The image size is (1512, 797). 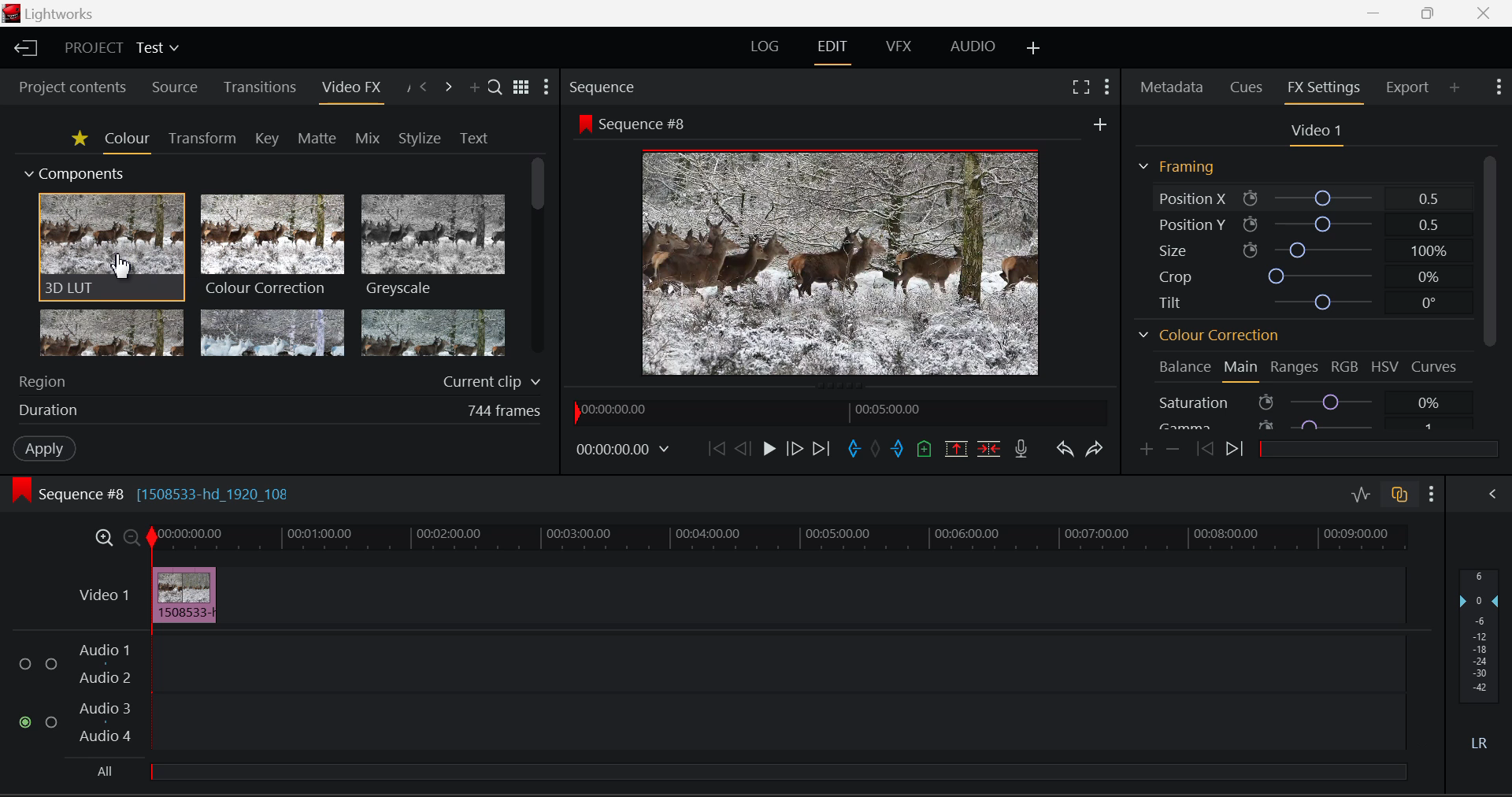 I want to click on Audio Input Checkbox, so click(x=24, y=664).